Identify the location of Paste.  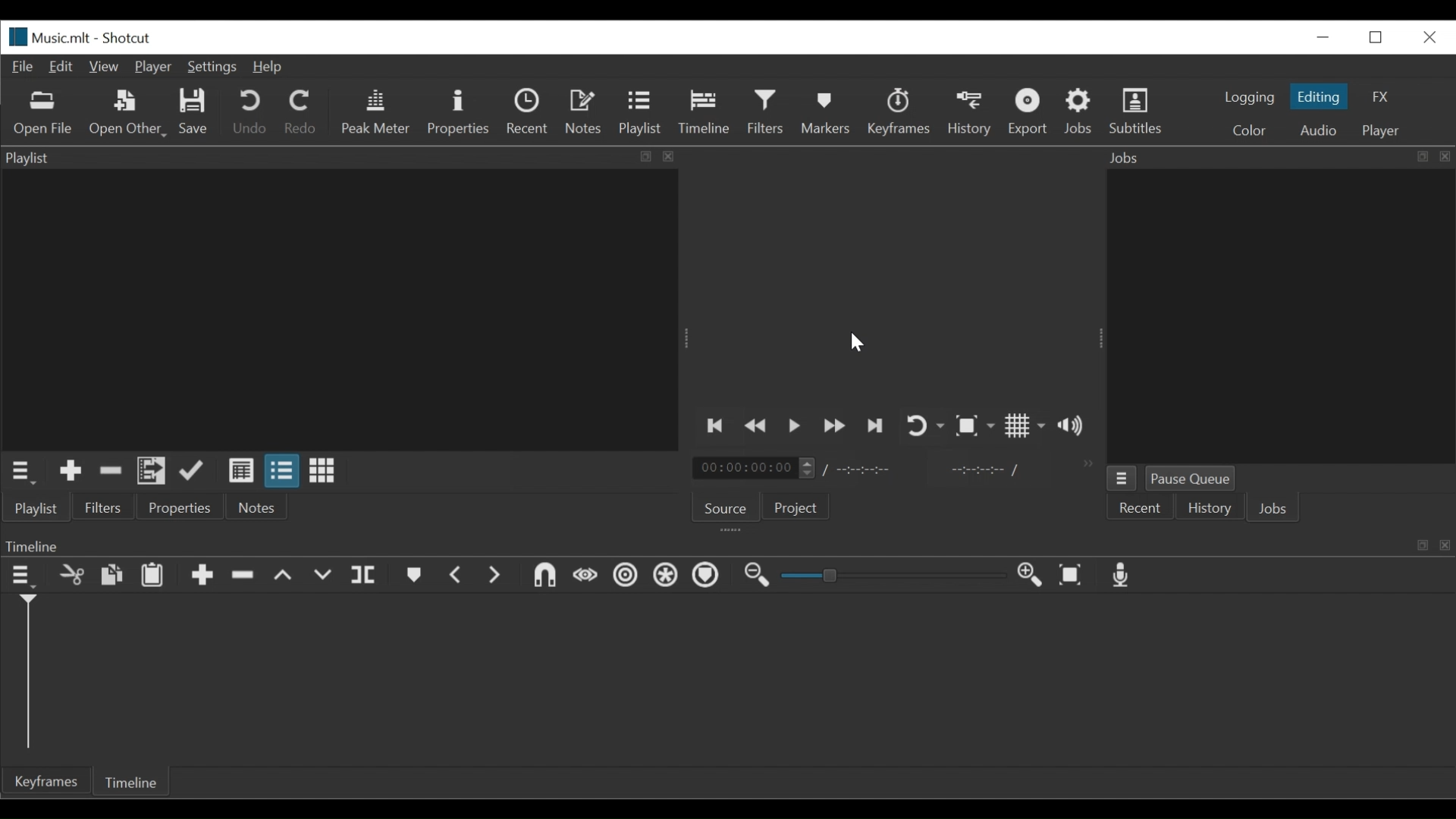
(153, 576).